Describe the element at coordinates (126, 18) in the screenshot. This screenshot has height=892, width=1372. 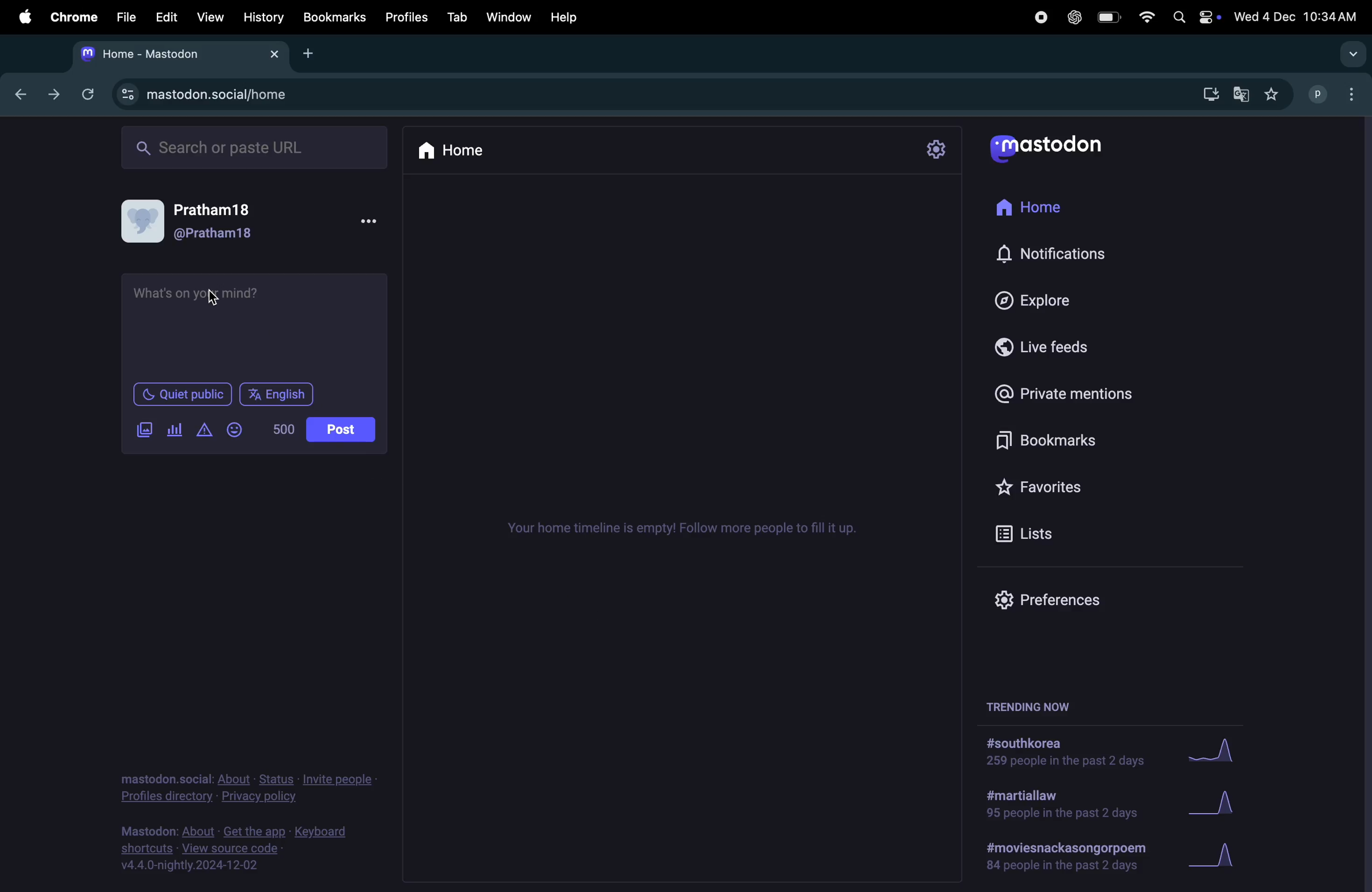
I see `Files` at that location.